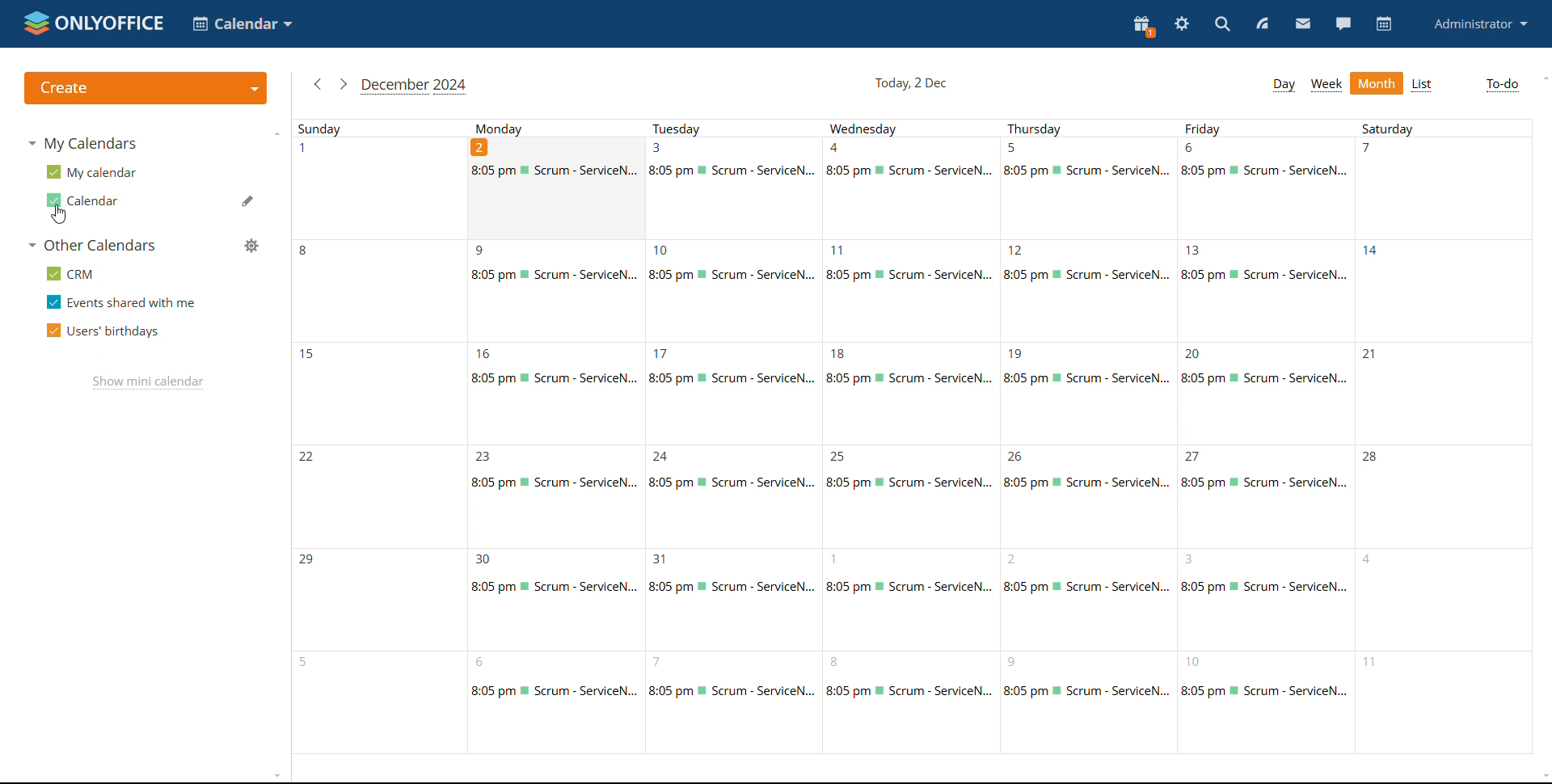  I want to click on mail, so click(1302, 24).